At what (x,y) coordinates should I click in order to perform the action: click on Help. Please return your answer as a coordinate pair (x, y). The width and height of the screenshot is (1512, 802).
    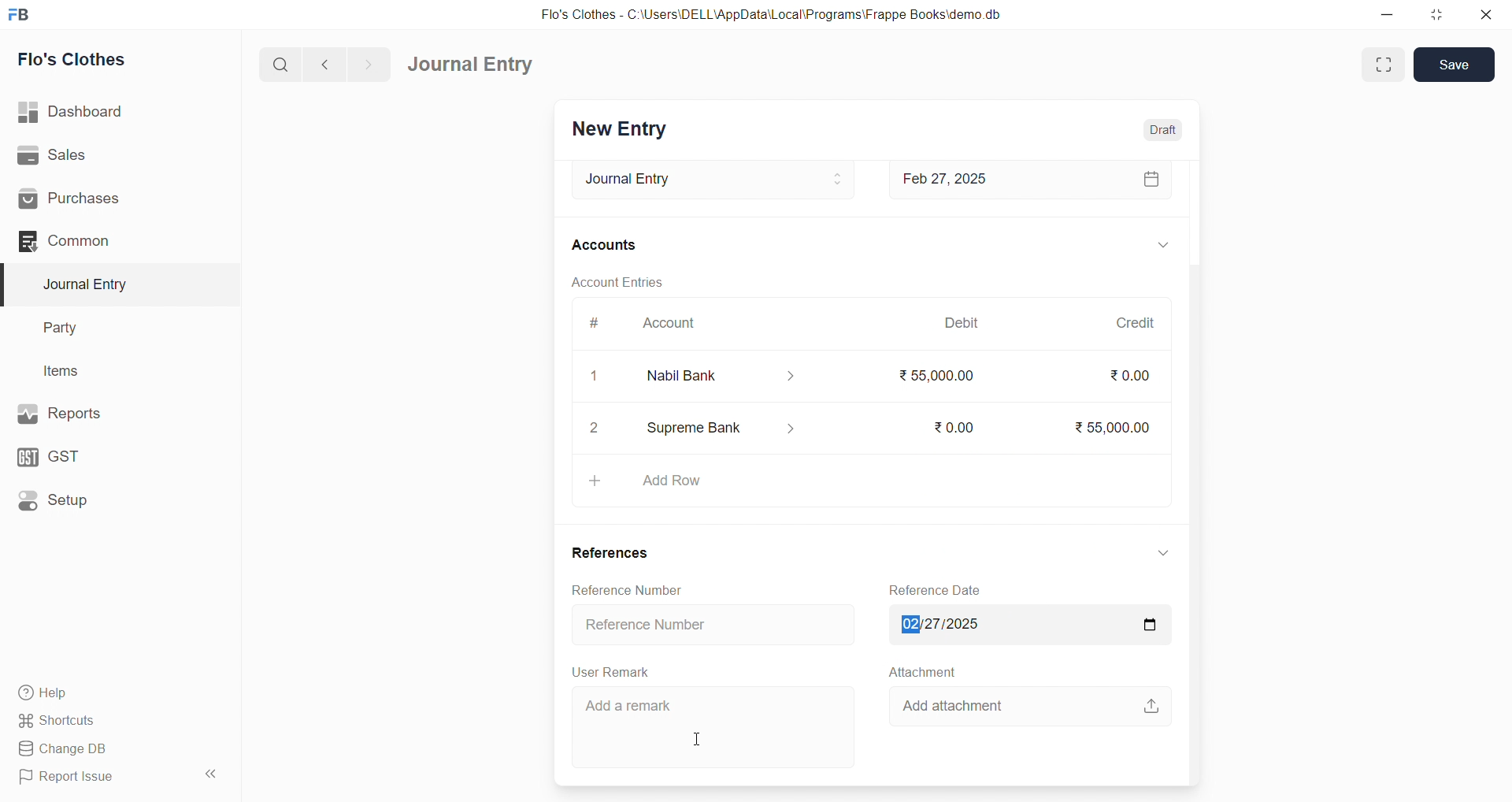
    Looking at the image, I should click on (98, 694).